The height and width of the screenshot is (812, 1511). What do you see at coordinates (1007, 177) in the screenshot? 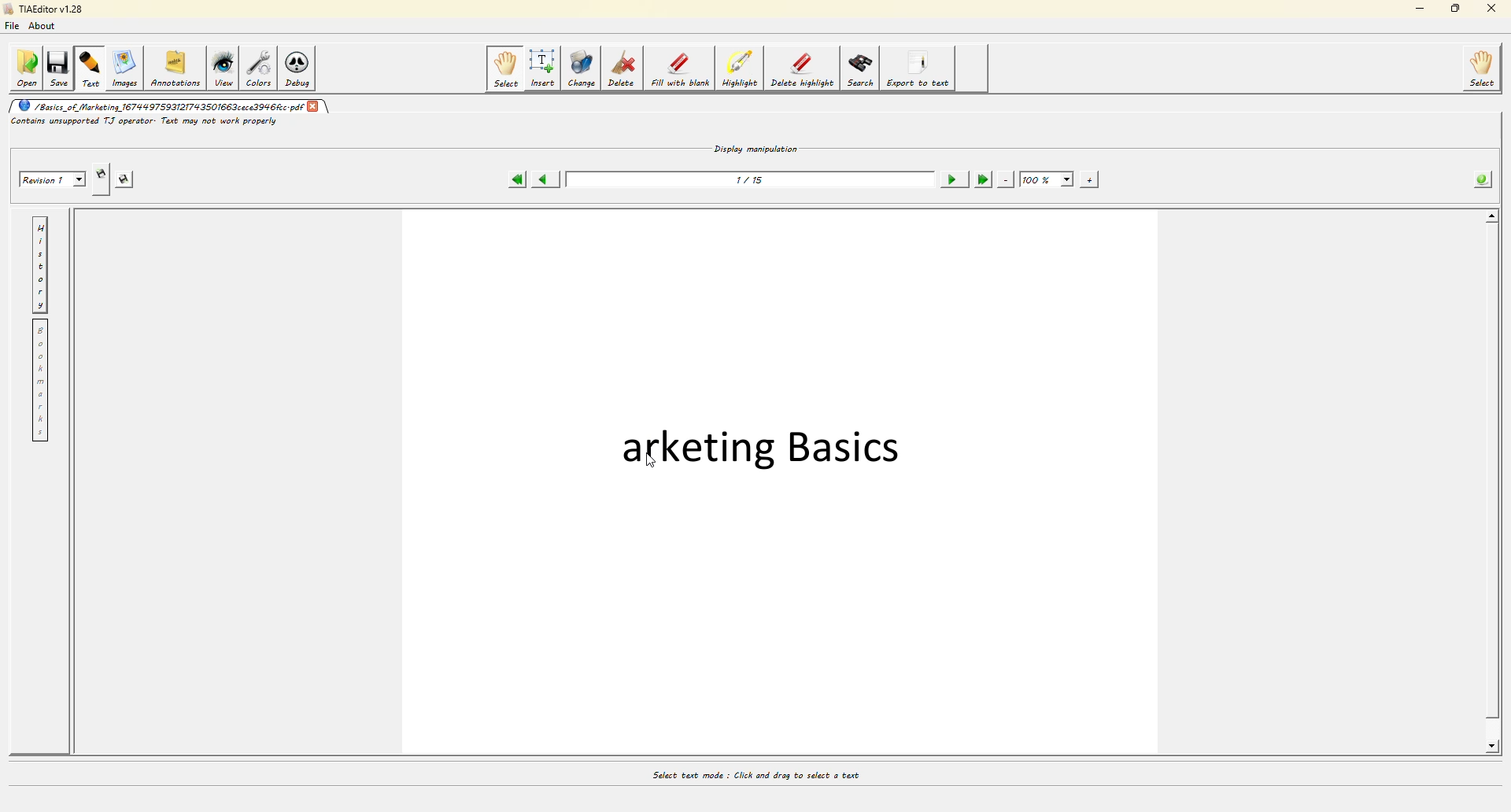
I see `zoom out` at bounding box center [1007, 177].